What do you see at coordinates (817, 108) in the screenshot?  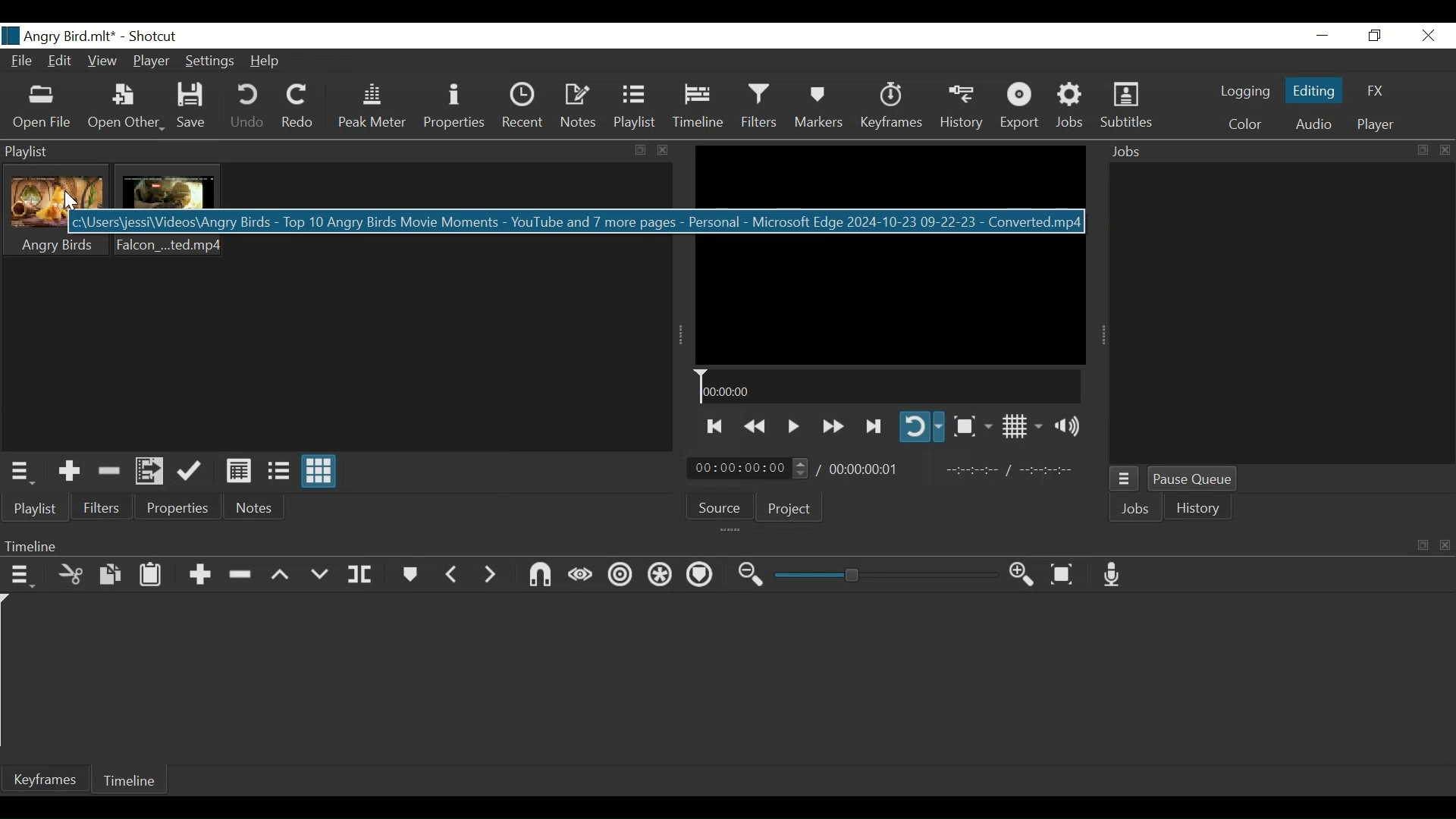 I see `Markers` at bounding box center [817, 108].